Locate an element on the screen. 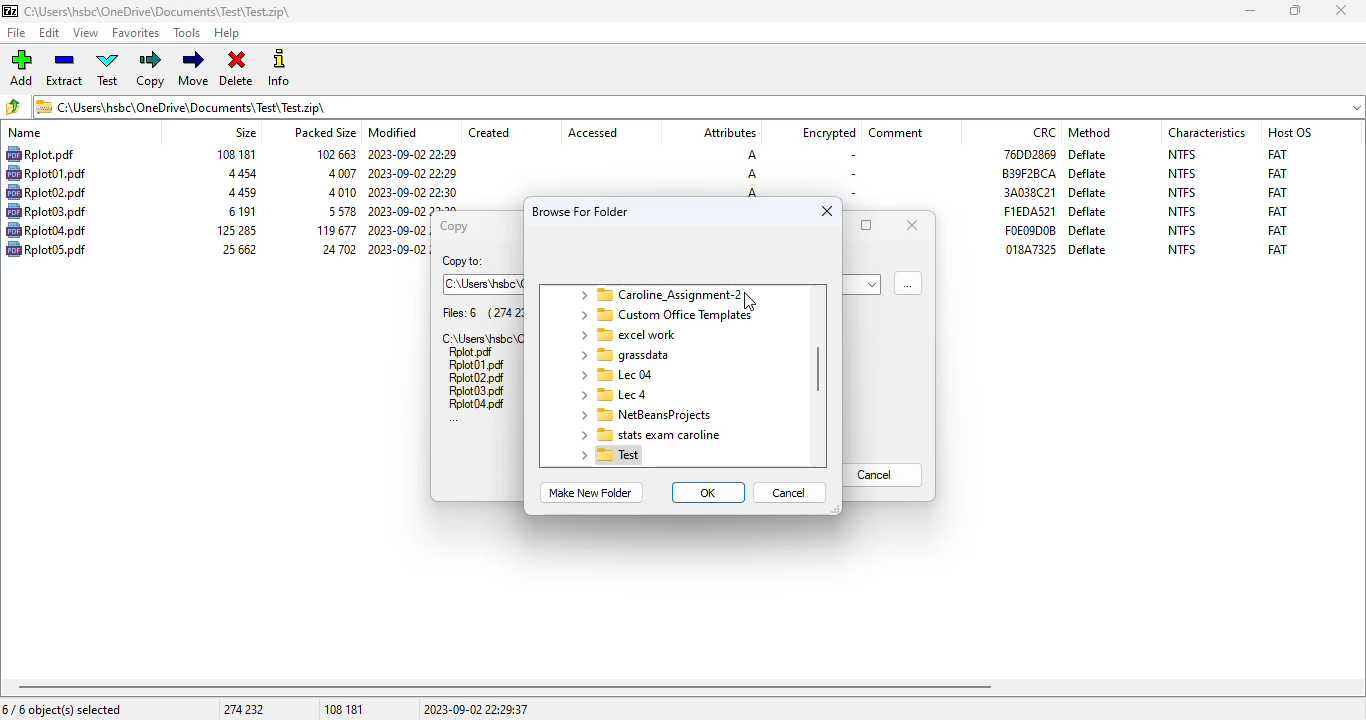  name is located at coordinates (25, 133).